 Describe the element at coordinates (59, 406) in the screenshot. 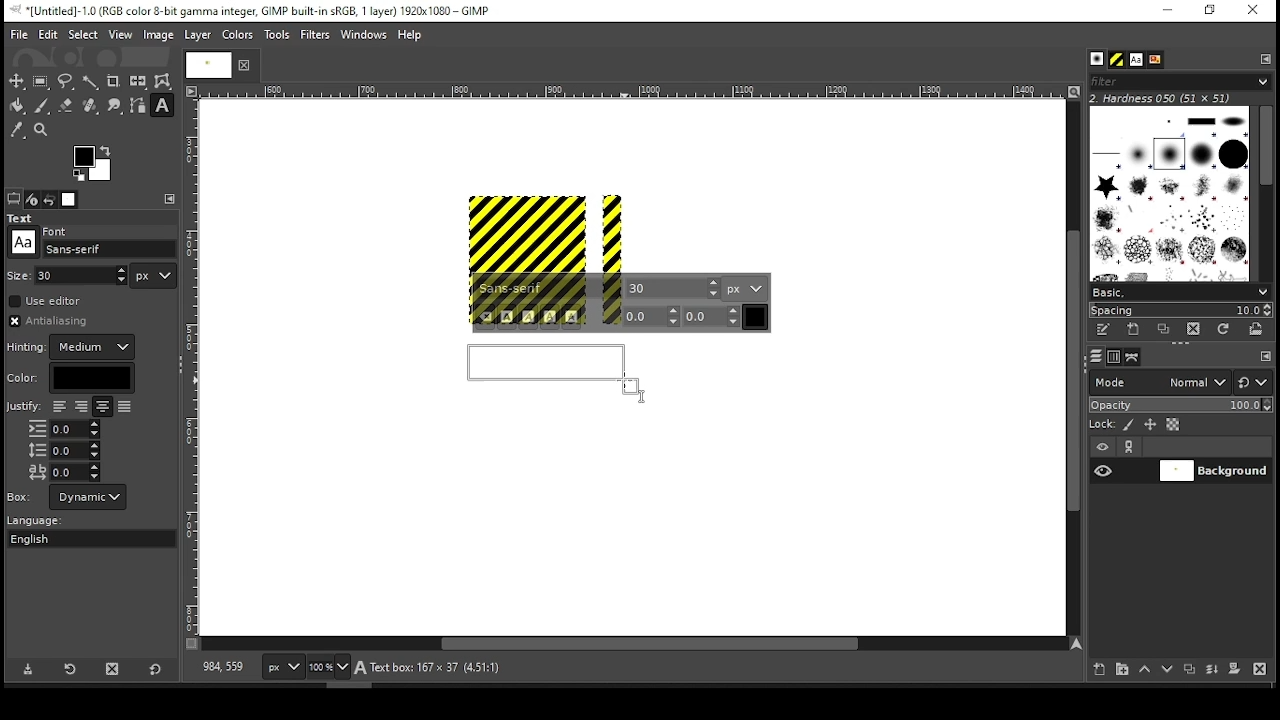

I see `justify left` at that location.